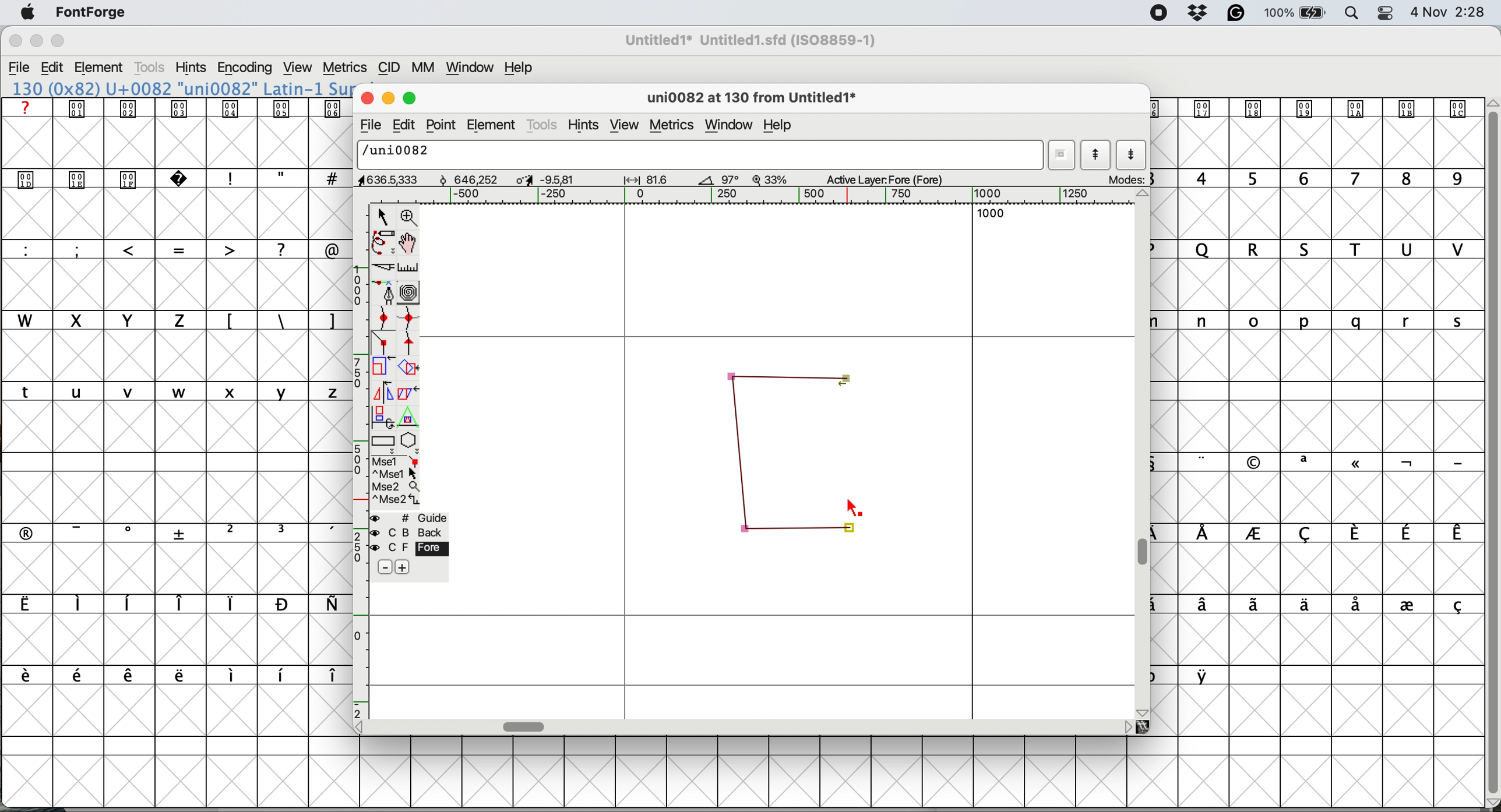  What do you see at coordinates (1098, 154) in the screenshot?
I see `show previous letter` at bounding box center [1098, 154].